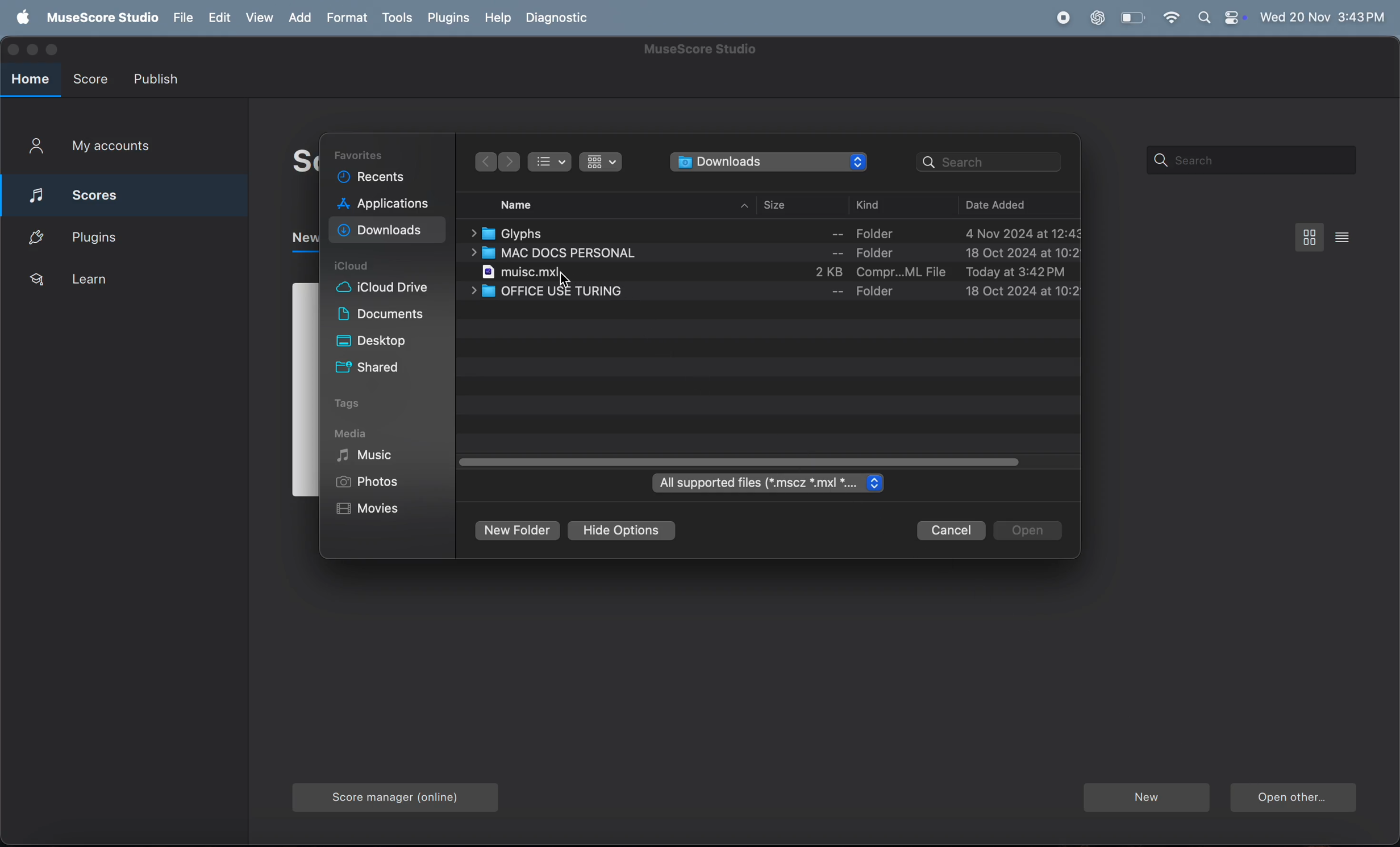  What do you see at coordinates (1002, 205) in the screenshot?
I see `date added` at bounding box center [1002, 205].